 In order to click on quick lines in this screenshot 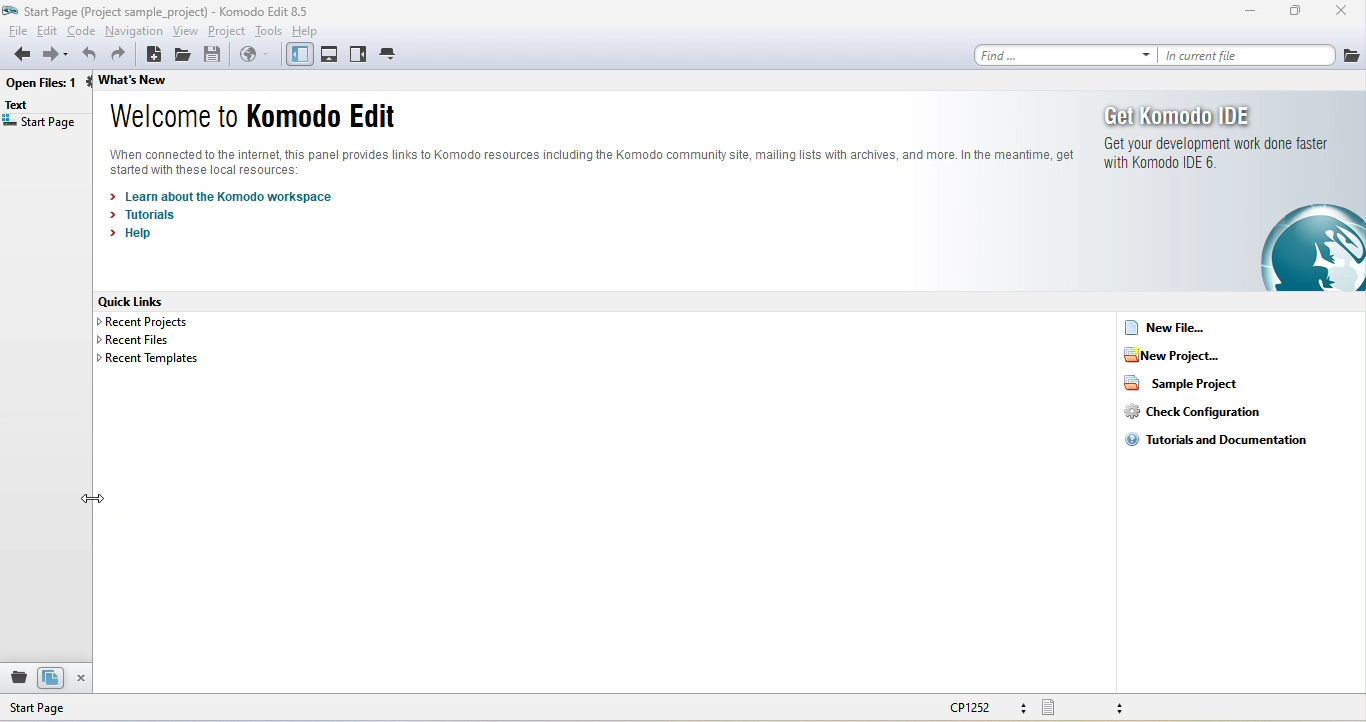, I will do `click(142, 301)`.